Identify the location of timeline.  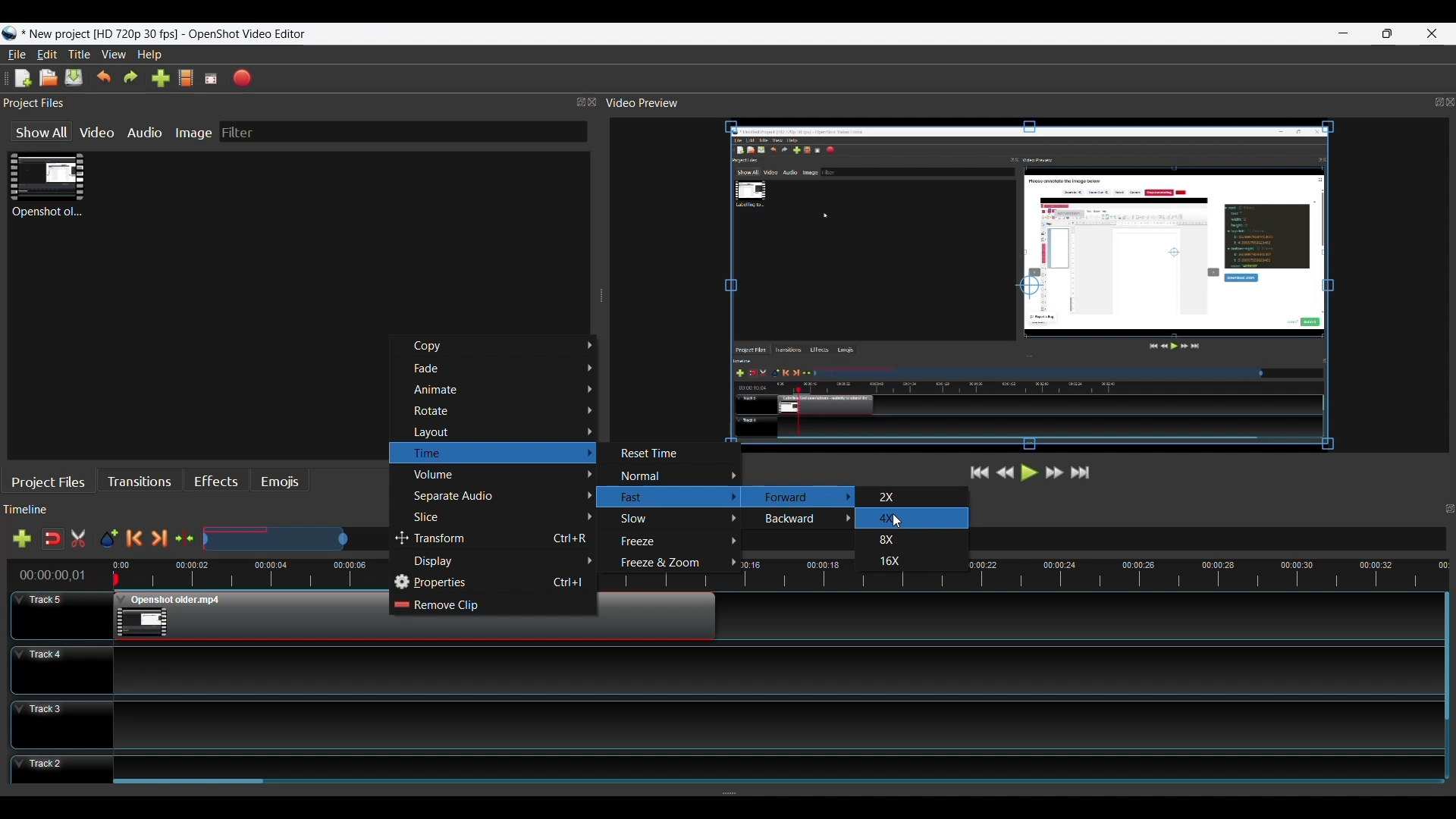
(1203, 570).